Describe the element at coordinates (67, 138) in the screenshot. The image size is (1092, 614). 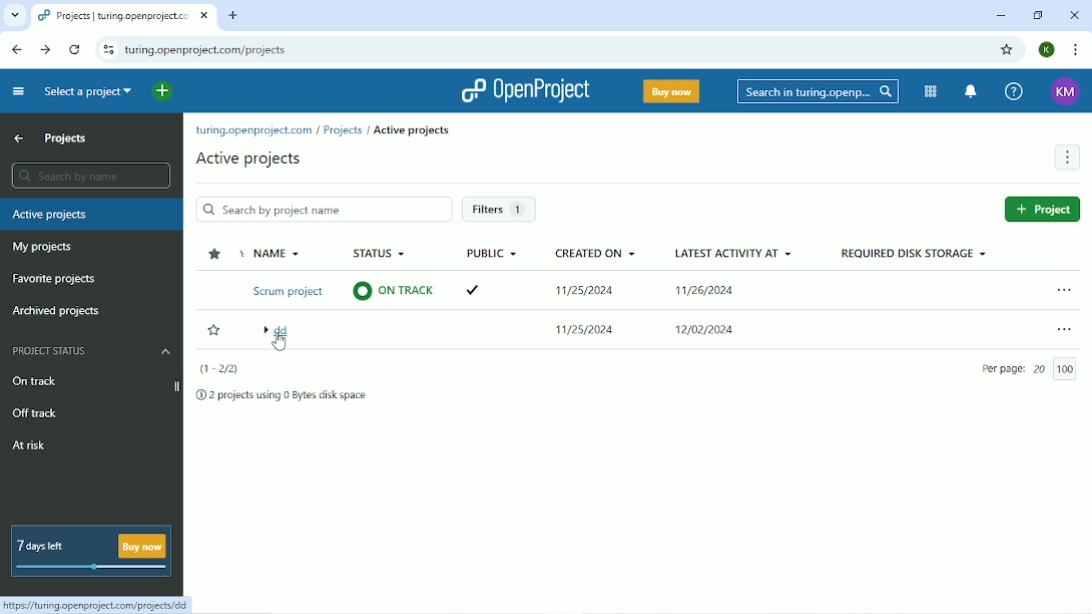
I see `Projects` at that location.